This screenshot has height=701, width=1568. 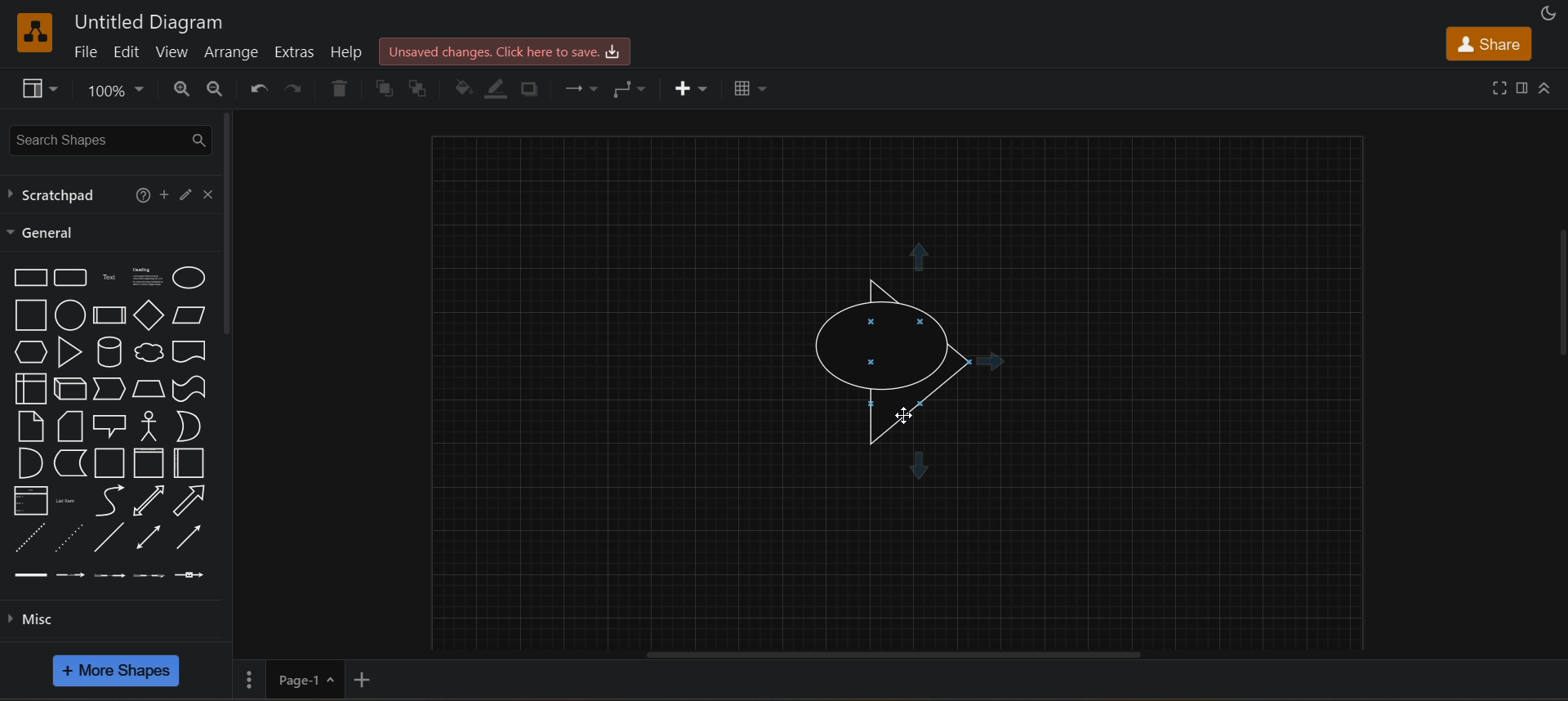 I want to click on connection, so click(x=581, y=90).